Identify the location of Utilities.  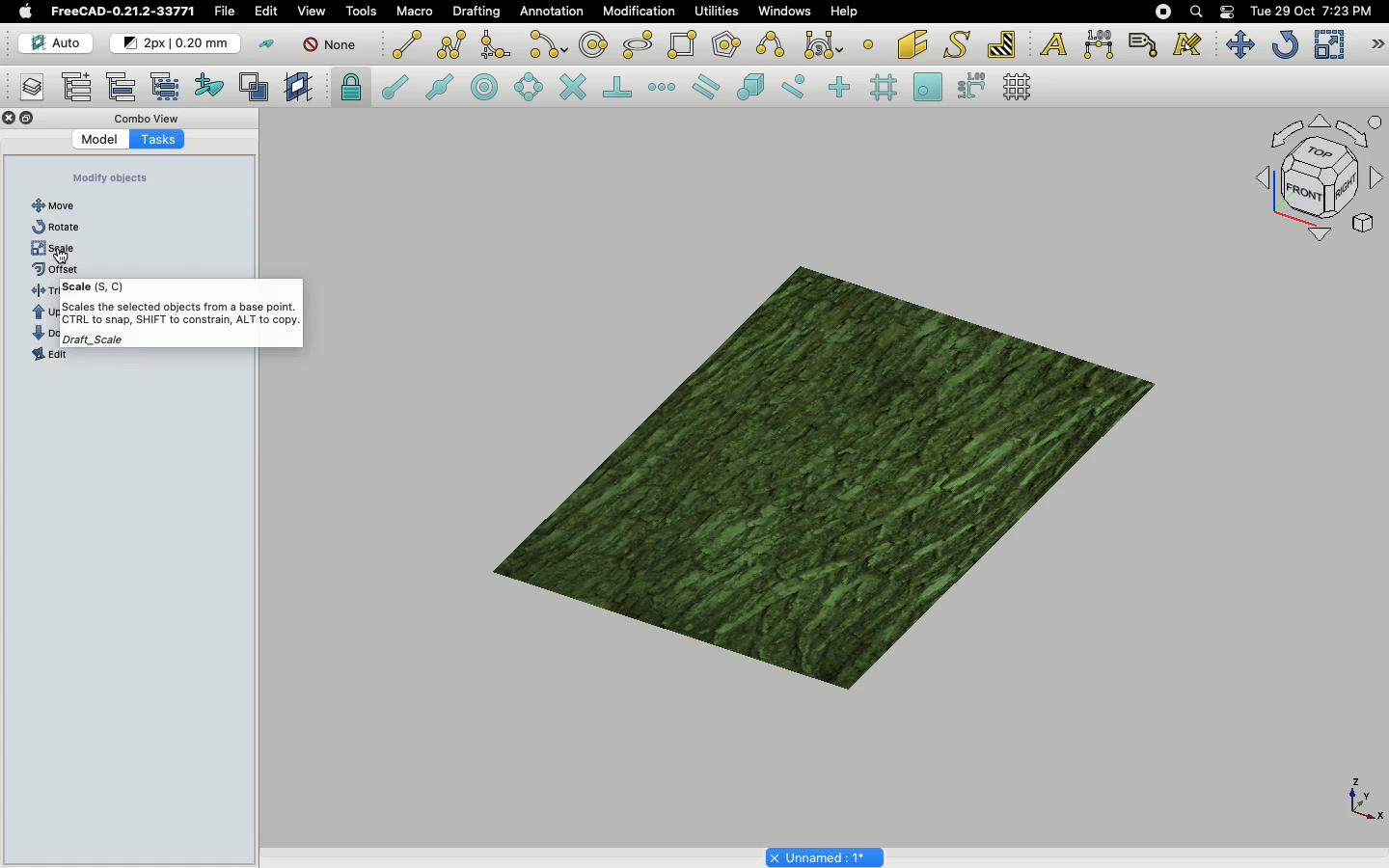
(713, 12).